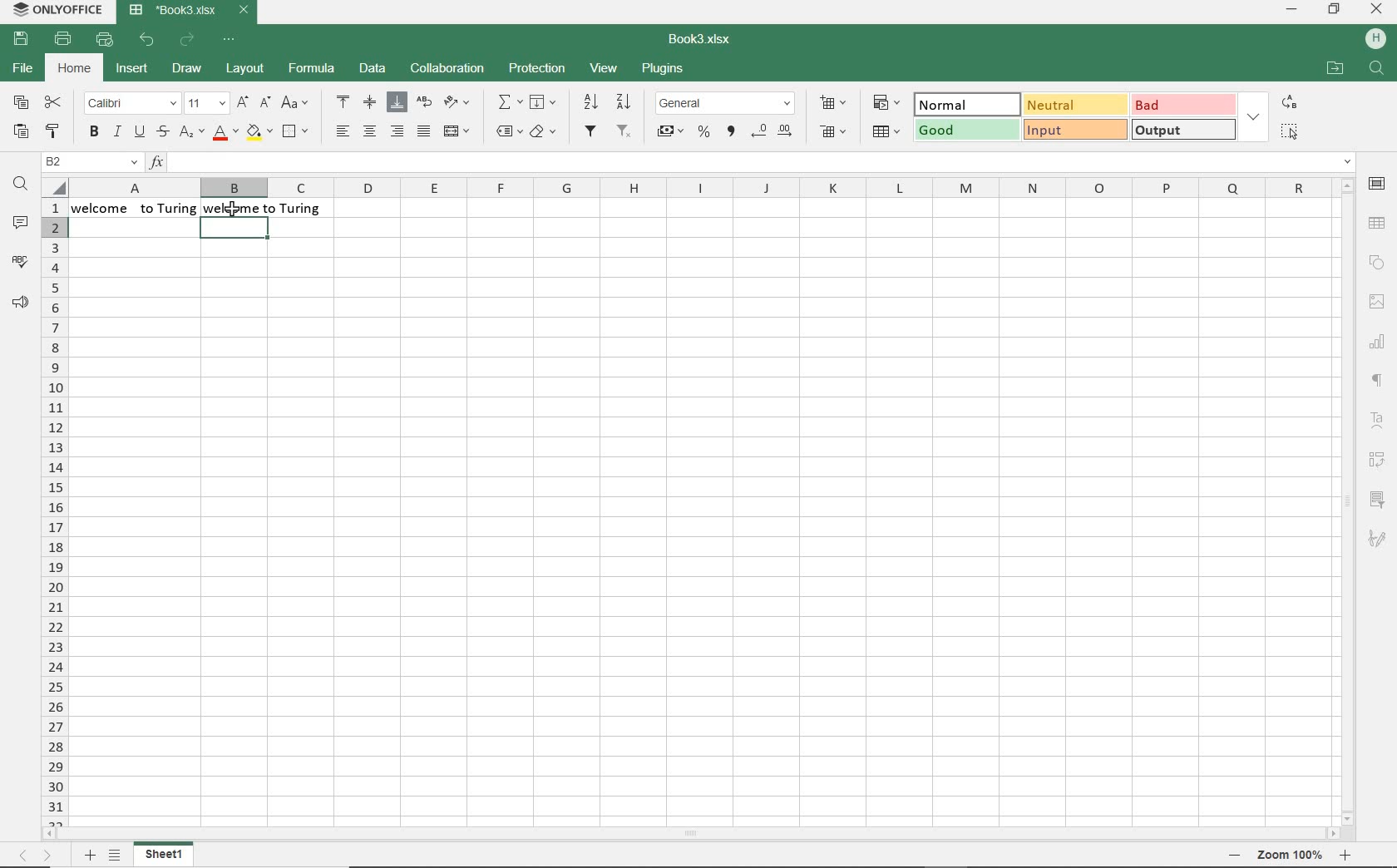 The image size is (1397, 868). I want to click on format as table template, so click(886, 132).